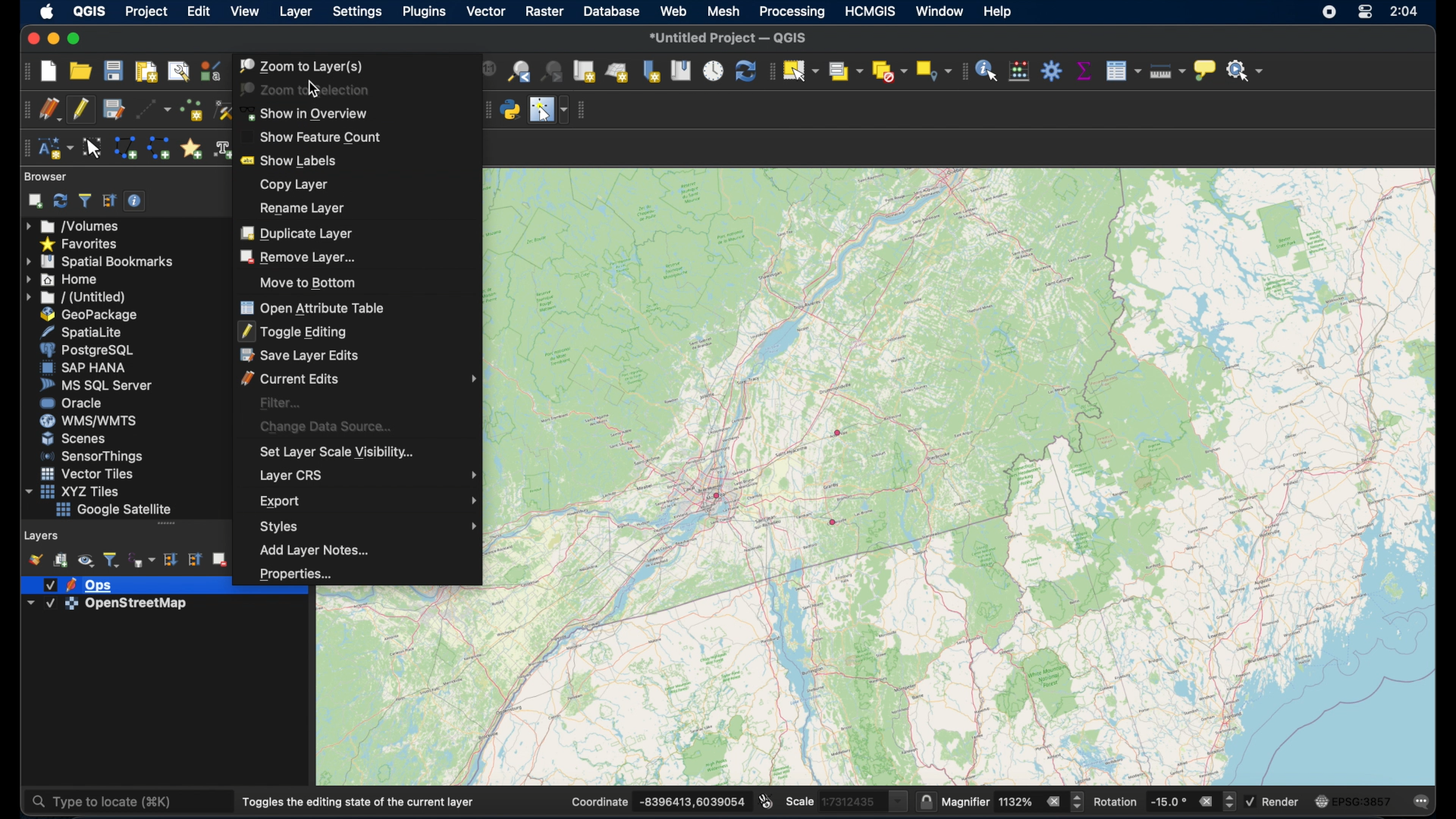 Image resolution: width=1456 pixels, height=819 pixels. Describe the element at coordinates (1146, 474) in the screenshot. I see `open street map` at that location.